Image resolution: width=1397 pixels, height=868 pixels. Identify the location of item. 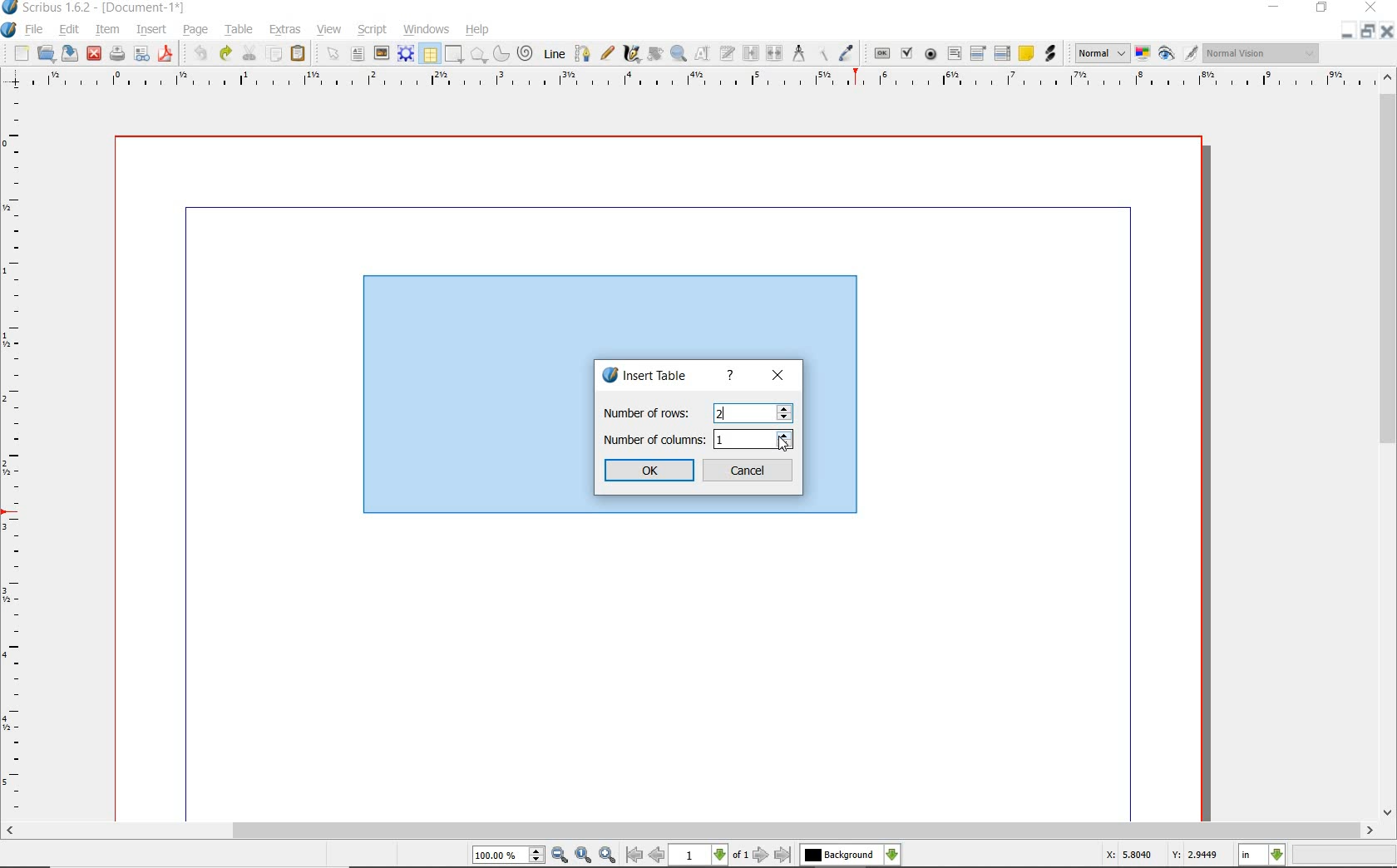
(106, 30).